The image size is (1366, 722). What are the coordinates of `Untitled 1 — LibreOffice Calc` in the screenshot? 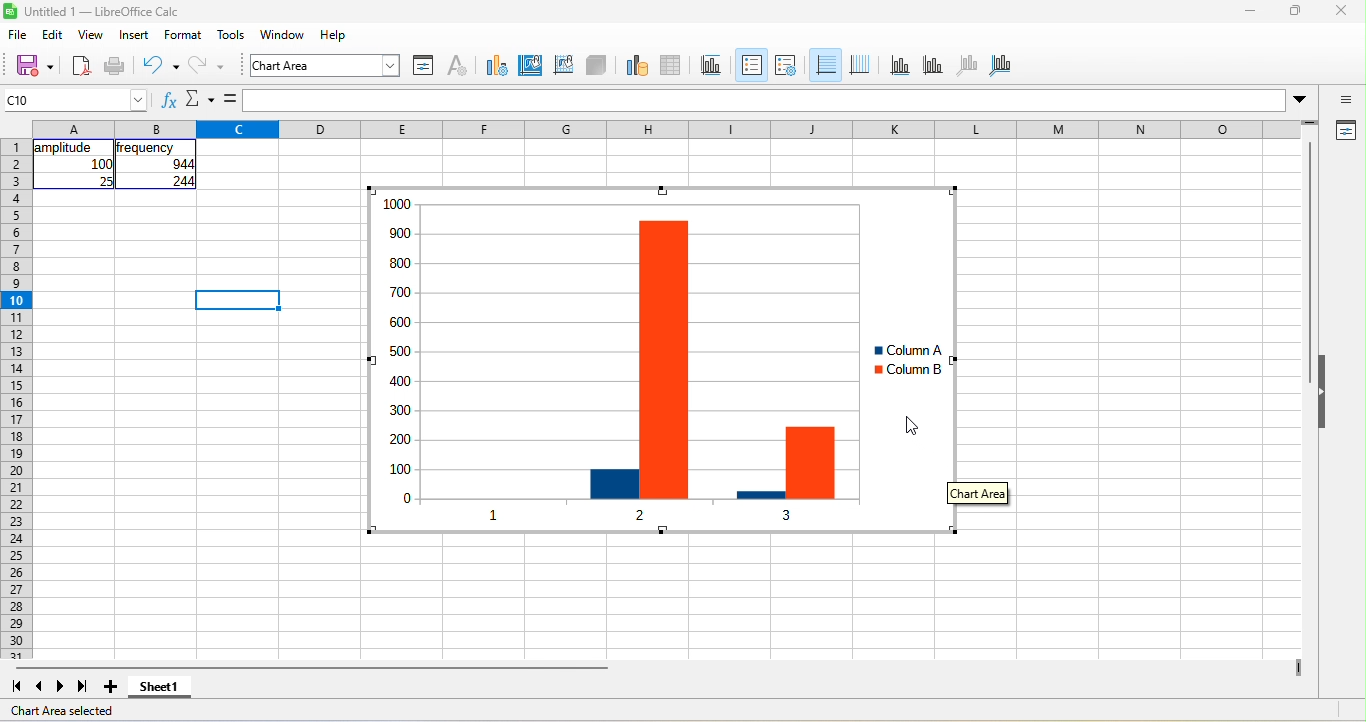 It's located at (103, 12).